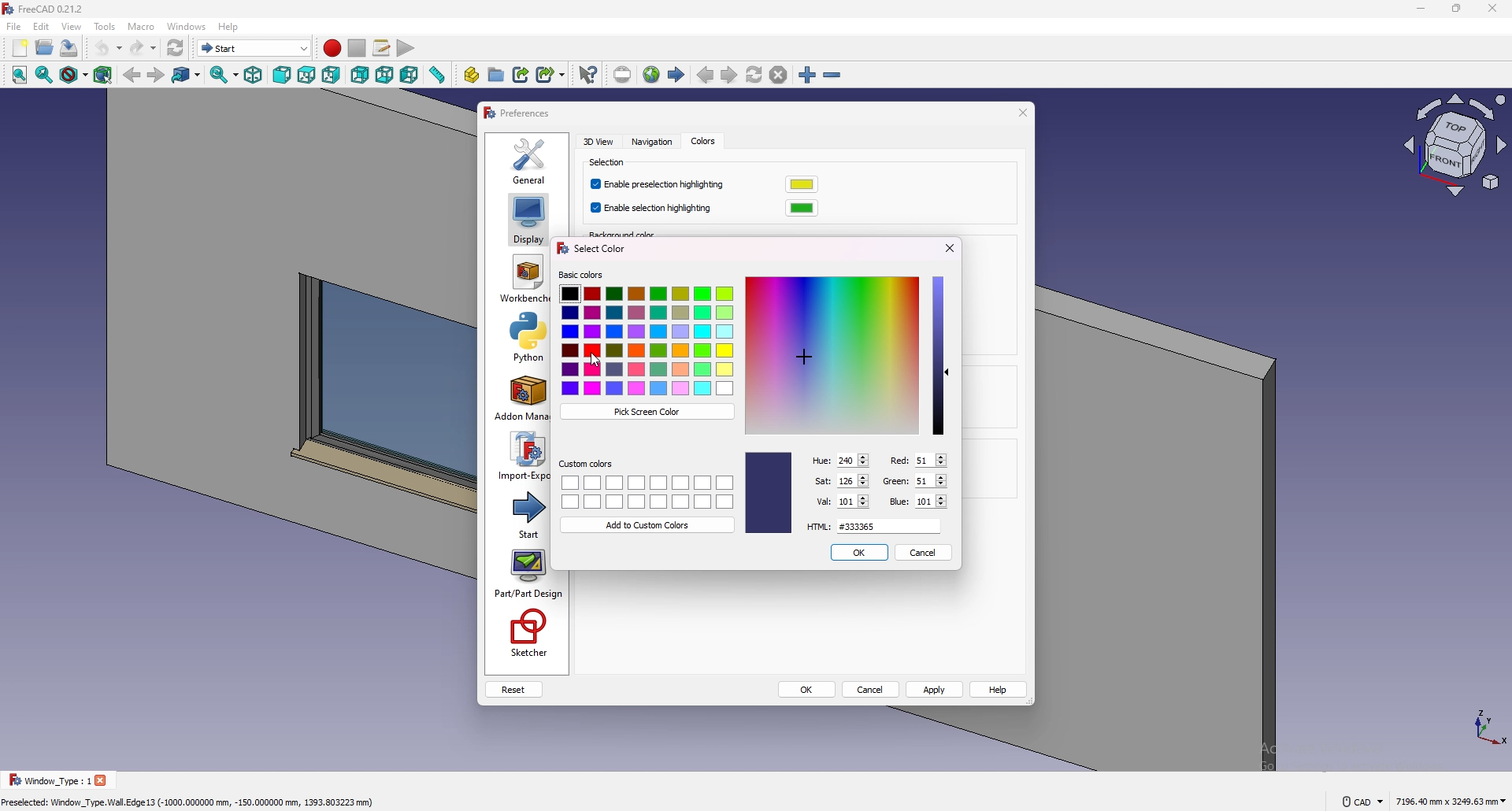  I want to click on refresh, so click(176, 48).